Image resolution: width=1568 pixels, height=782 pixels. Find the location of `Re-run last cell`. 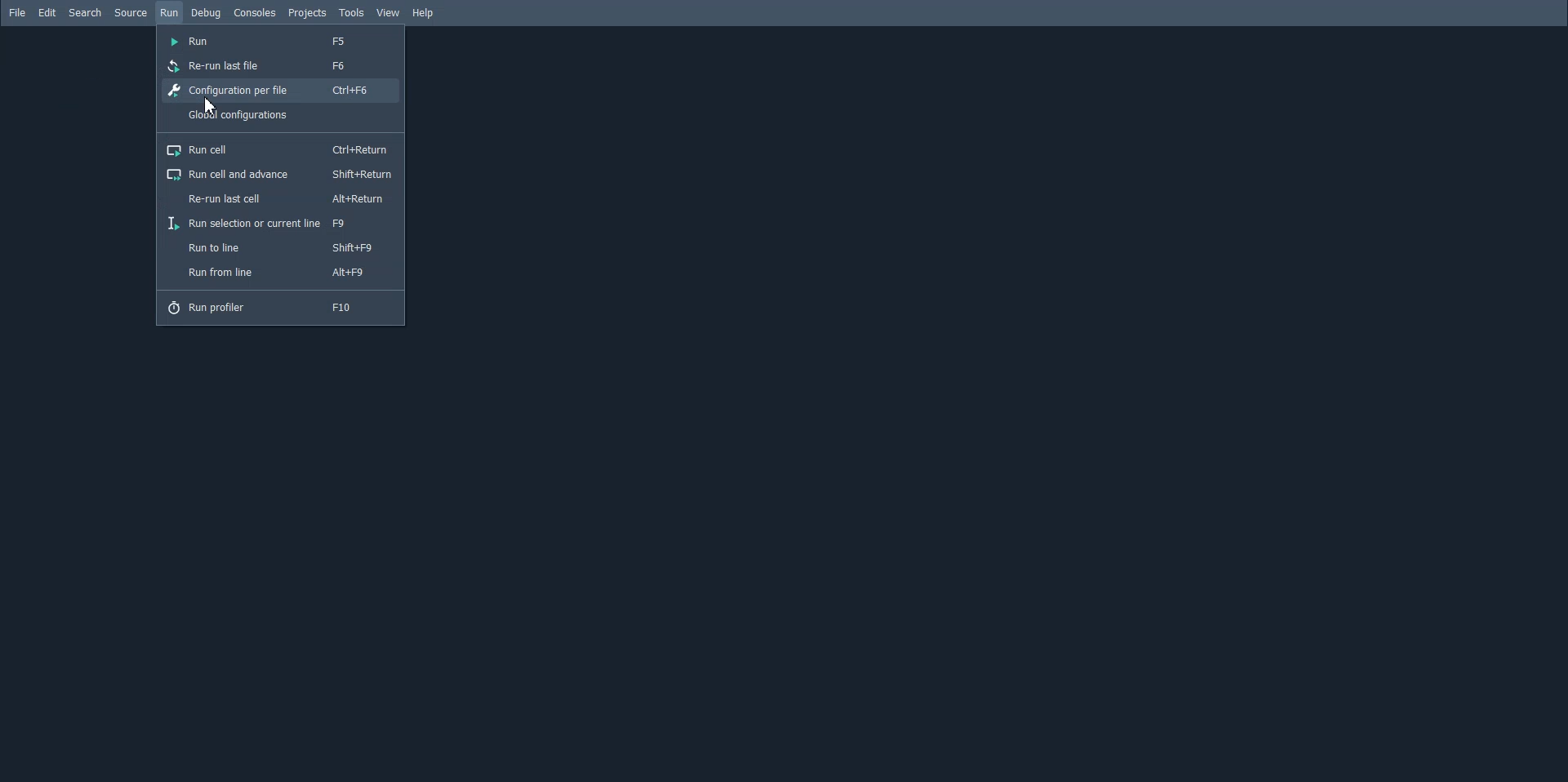

Re-run last cell is located at coordinates (279, 198).